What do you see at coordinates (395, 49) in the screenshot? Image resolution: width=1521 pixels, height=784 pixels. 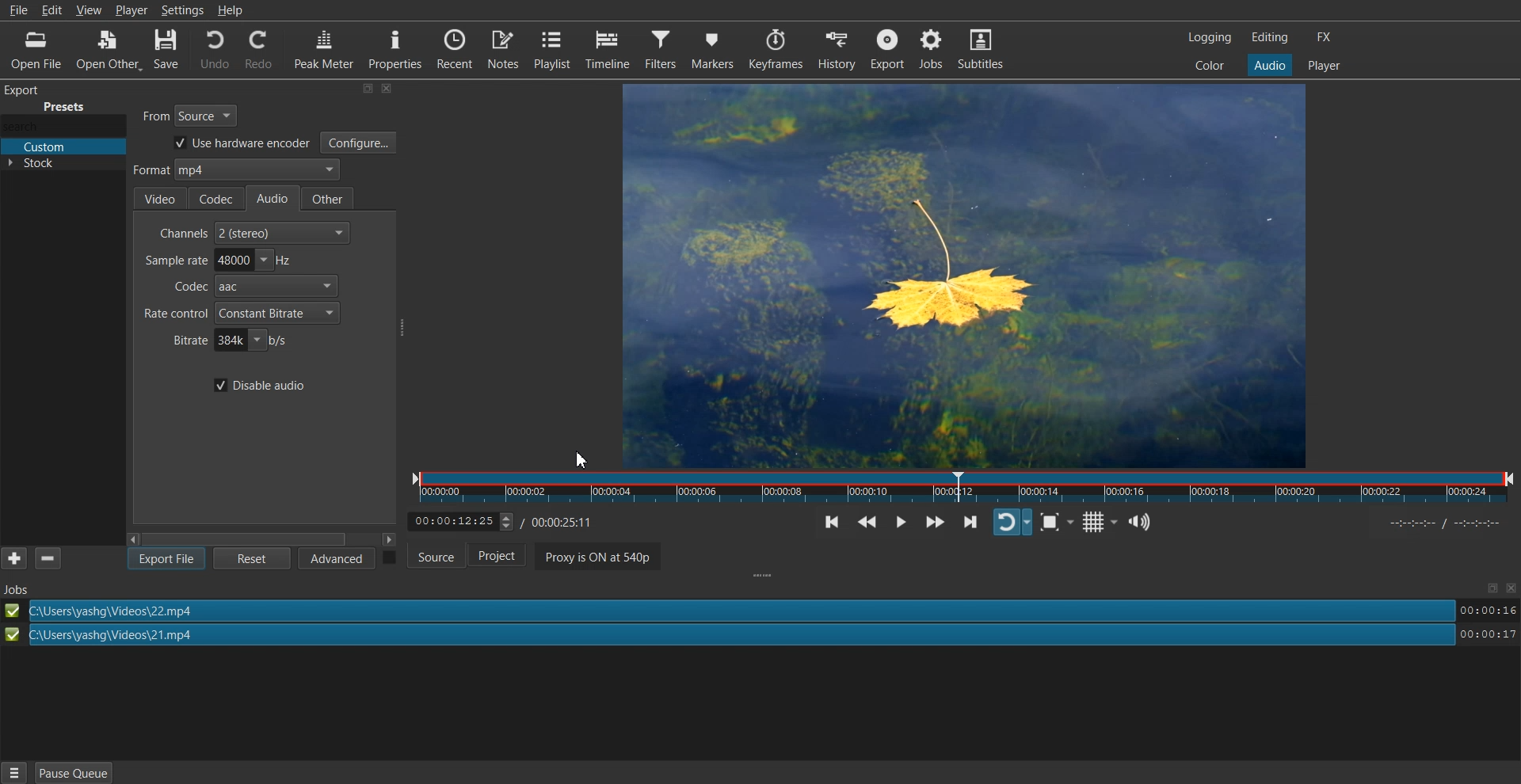 I see `Properties` at bounding box center [395, 49].